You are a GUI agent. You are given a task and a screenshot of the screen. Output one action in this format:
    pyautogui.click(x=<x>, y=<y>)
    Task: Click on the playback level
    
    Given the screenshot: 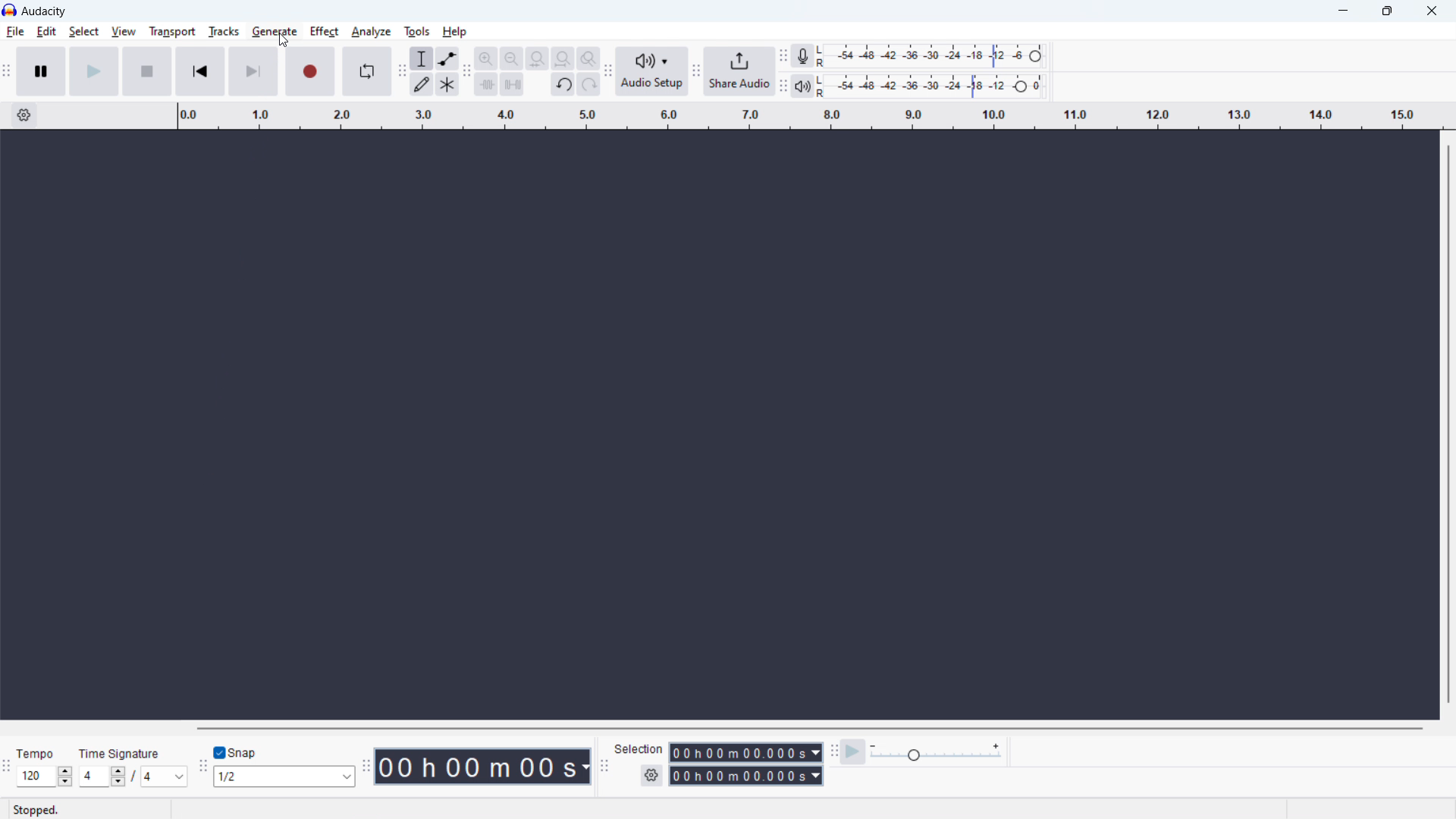 What is the action you would take?
    pyautogui.click(x=931, y=86)
    